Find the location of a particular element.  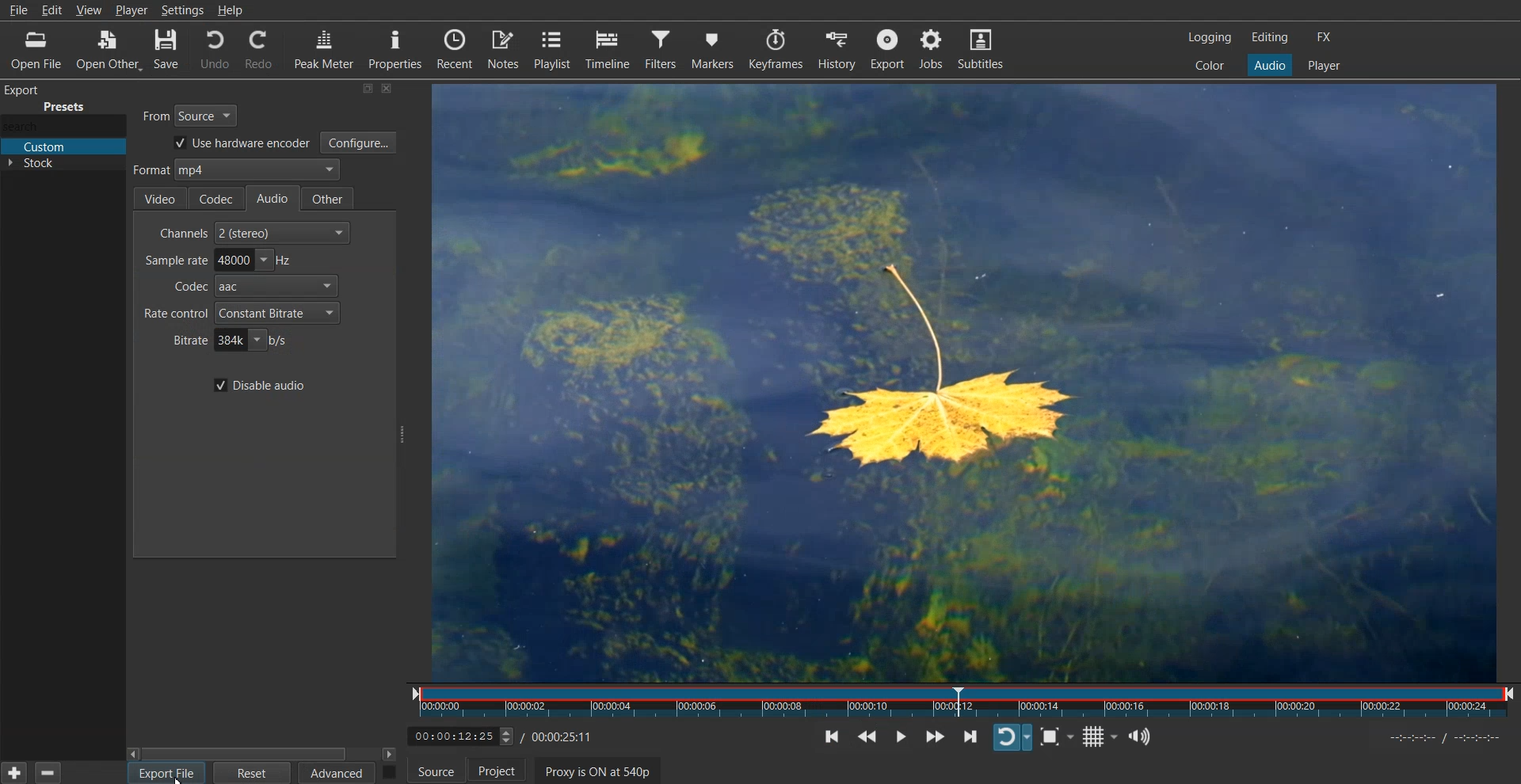

Audio is located at coordinates (276, 199).